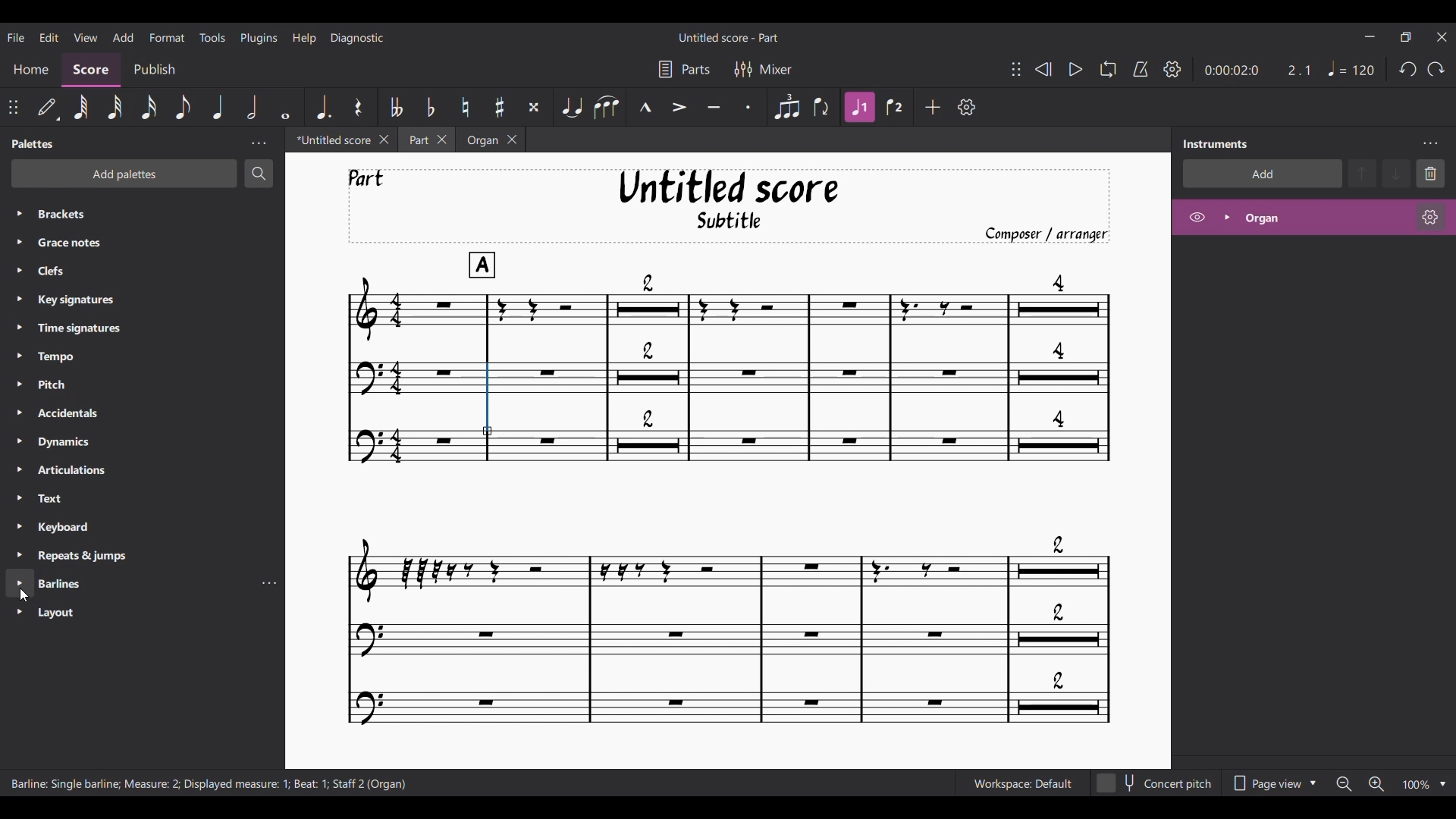 The width and height of the screenshot is (1456, 819). I want to click on Metronome, so click(1141, 69).